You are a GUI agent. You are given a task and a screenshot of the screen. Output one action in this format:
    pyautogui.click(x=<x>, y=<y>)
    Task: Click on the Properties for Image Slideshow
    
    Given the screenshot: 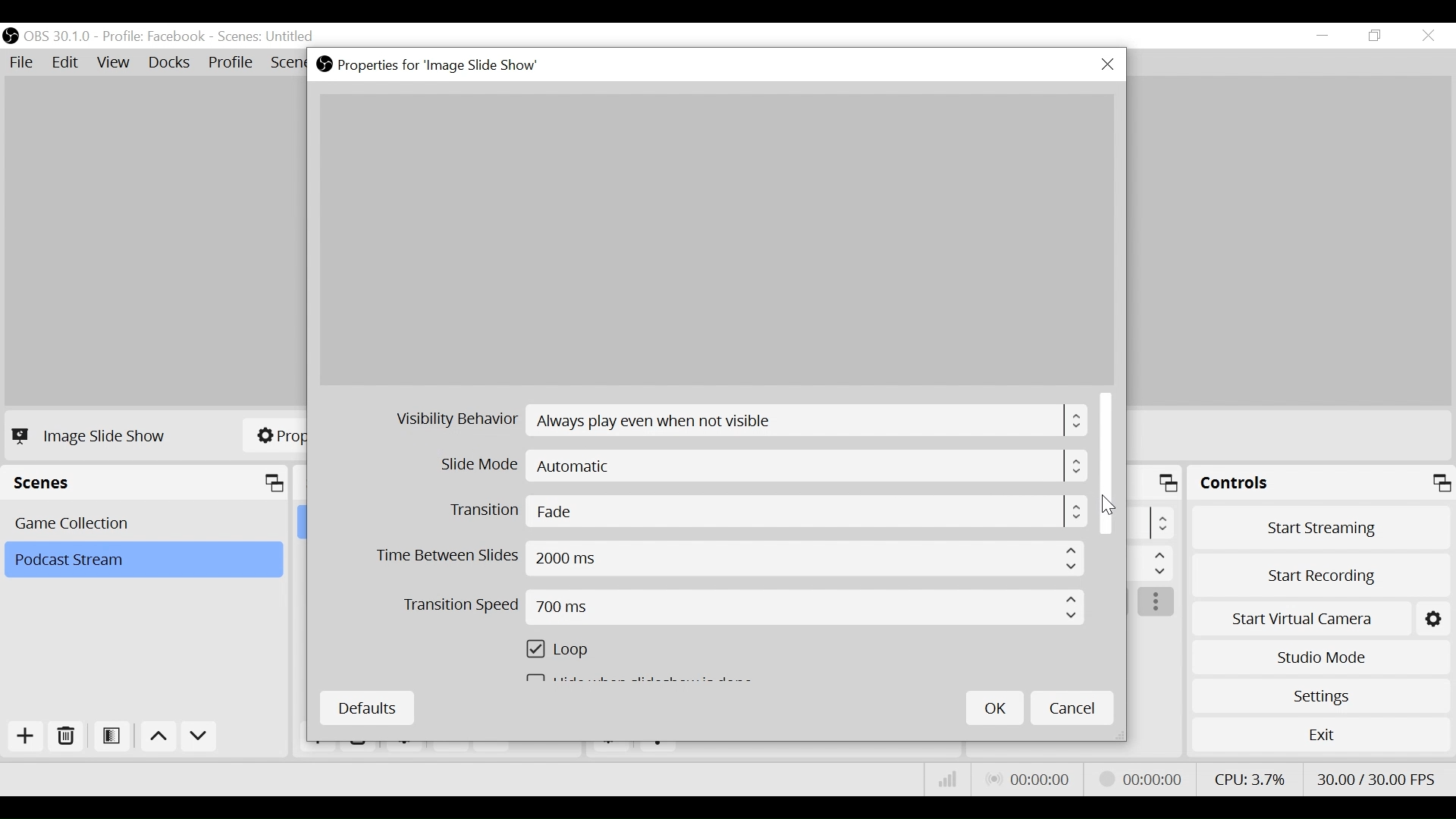 What is the action you would take?
    pyautogui.click(x=431, y=65)
    